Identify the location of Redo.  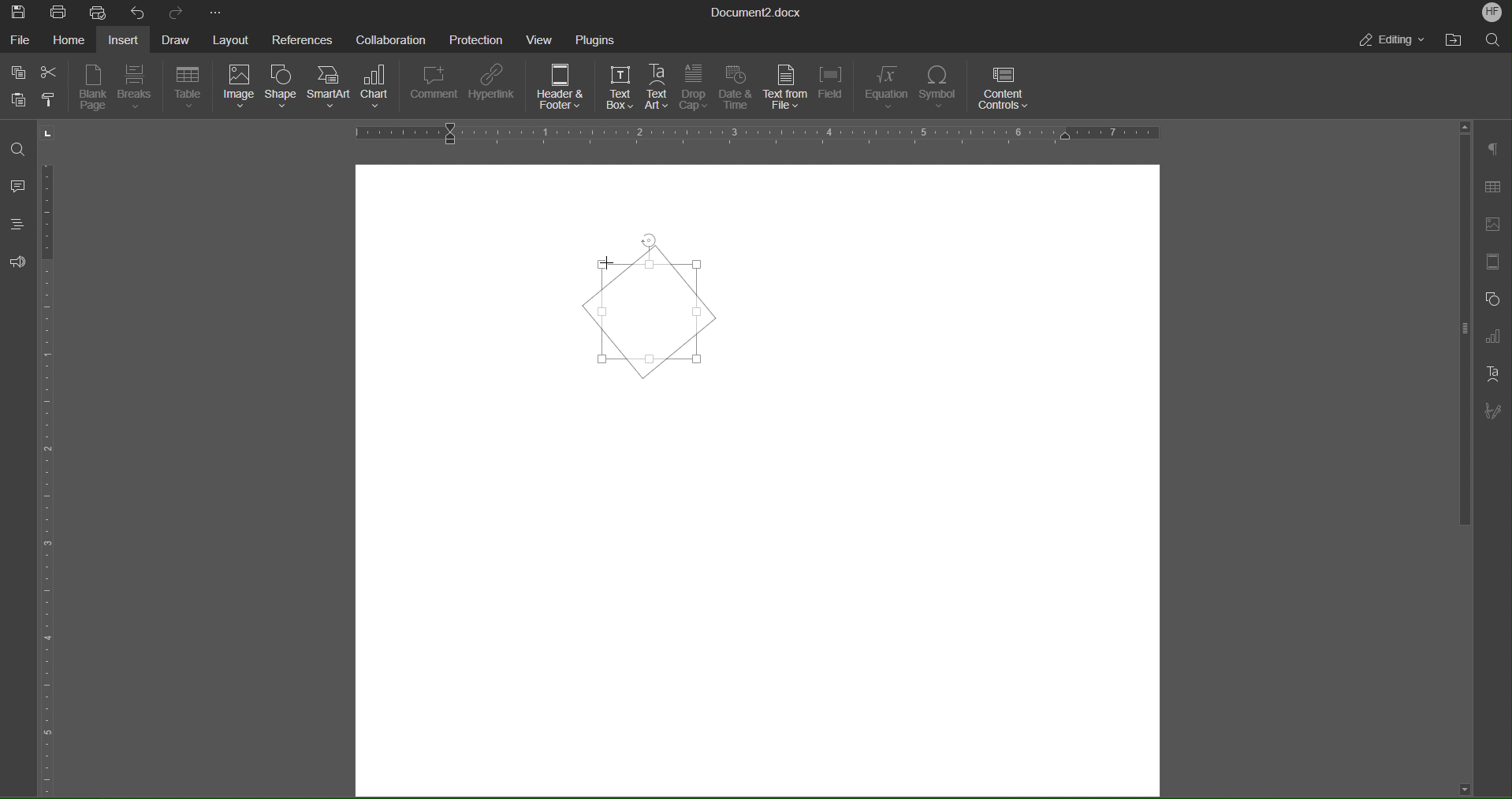
(172, 12).